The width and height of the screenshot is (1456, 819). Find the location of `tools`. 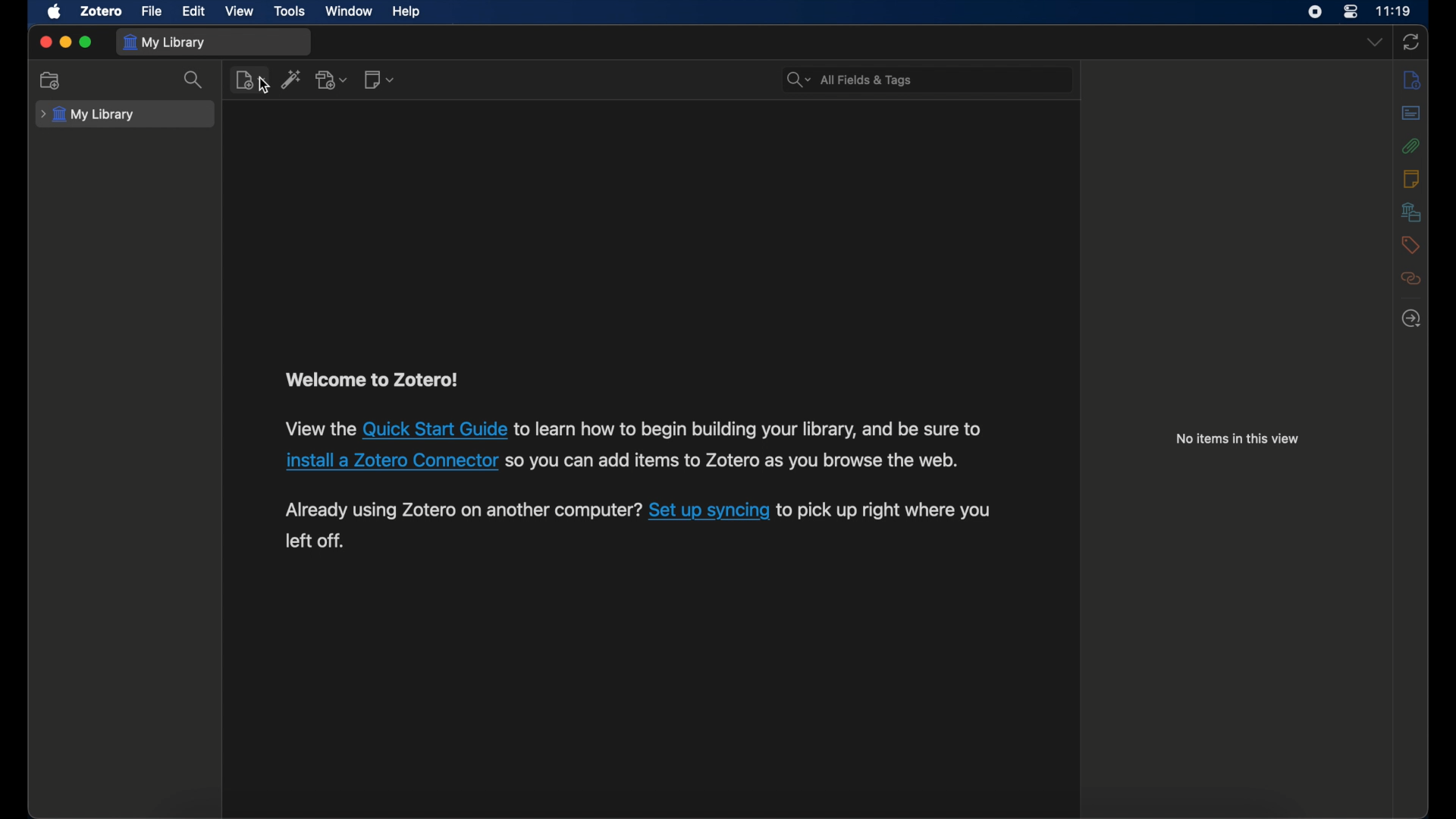

tools is located at coordinates (290, 10).